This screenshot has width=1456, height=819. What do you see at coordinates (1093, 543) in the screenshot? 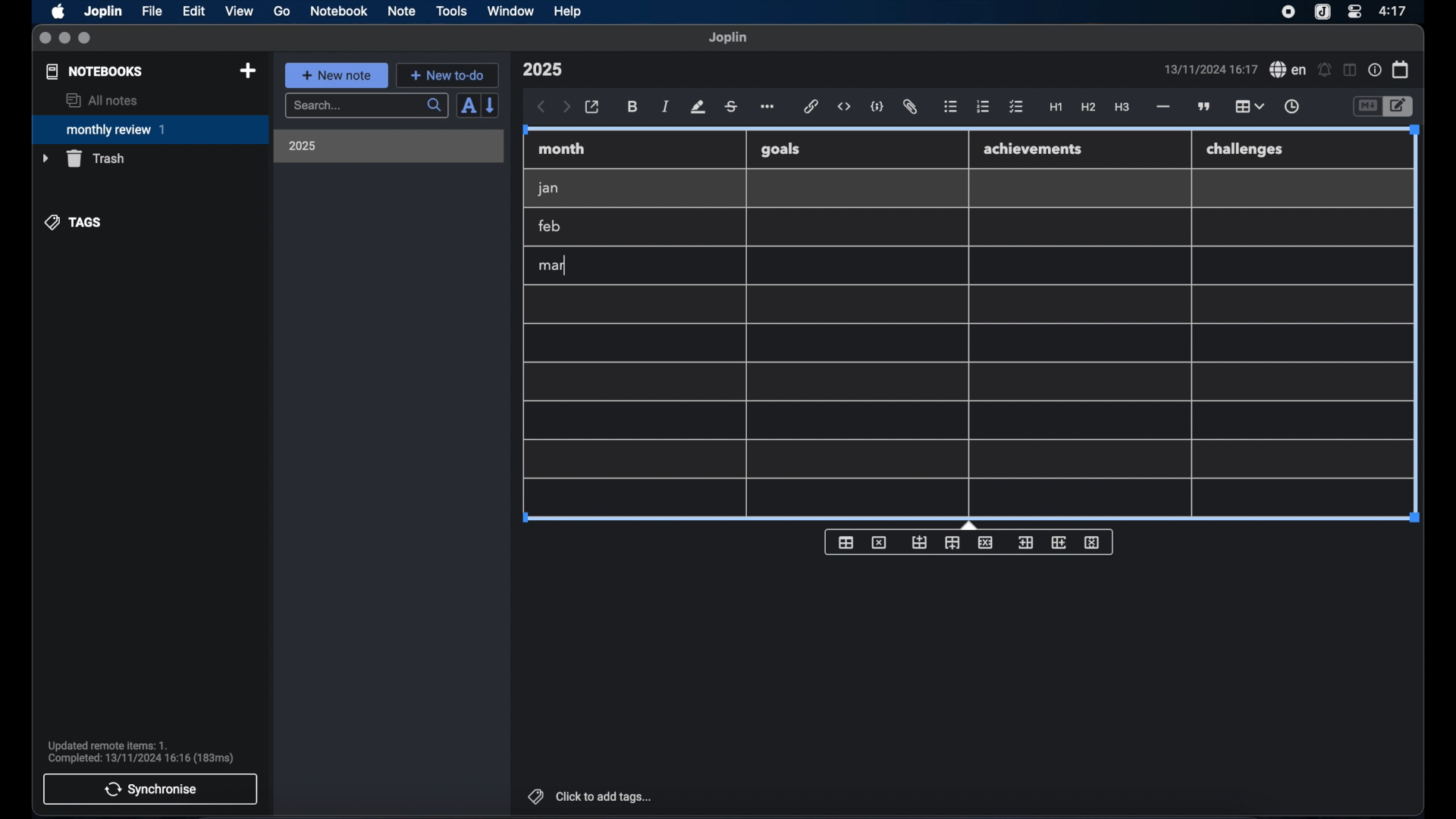
I see `delete column` at bounding box center [1093, 543].